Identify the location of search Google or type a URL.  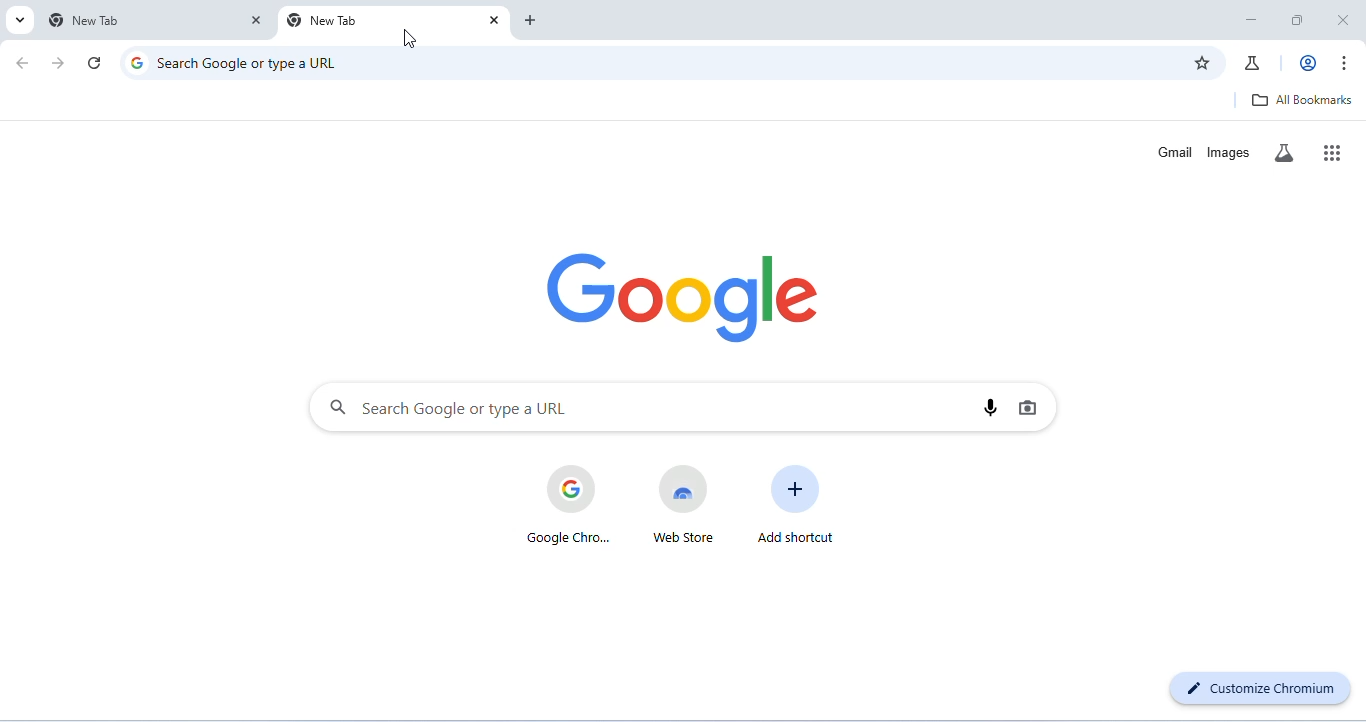
(251, 61).